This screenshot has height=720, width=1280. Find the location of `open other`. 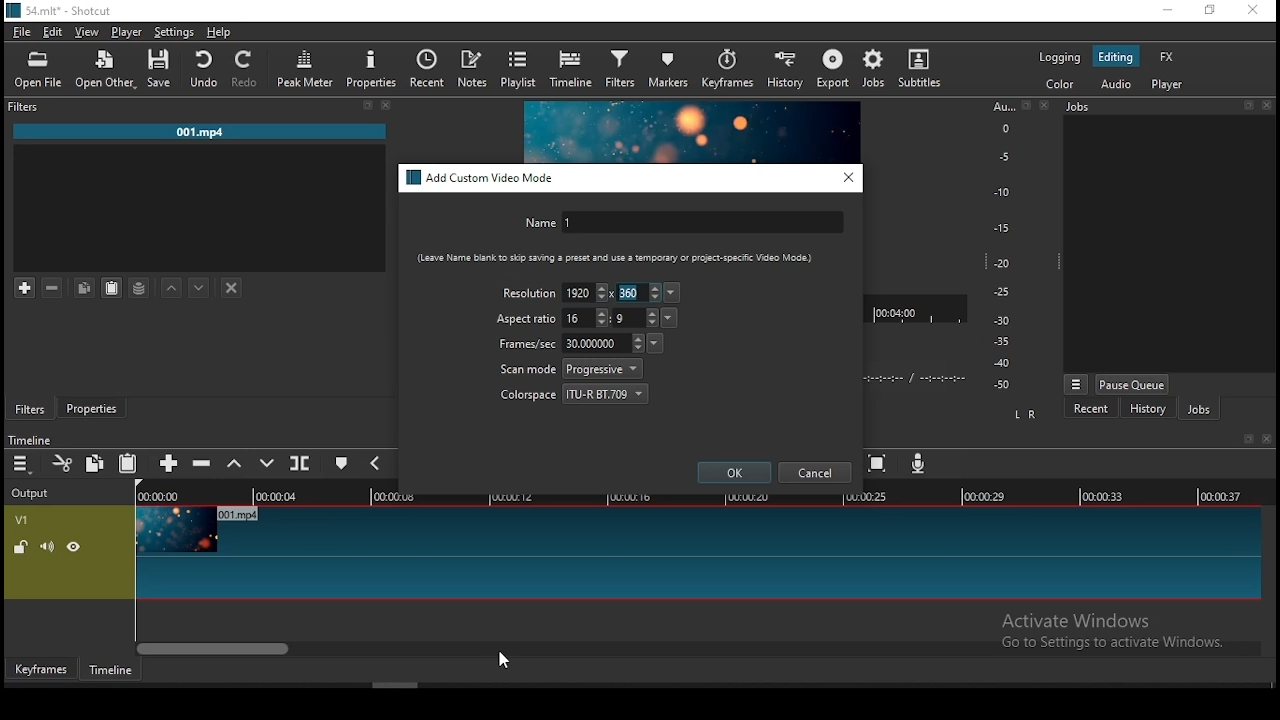

open other is located at coordinates (107, 71).